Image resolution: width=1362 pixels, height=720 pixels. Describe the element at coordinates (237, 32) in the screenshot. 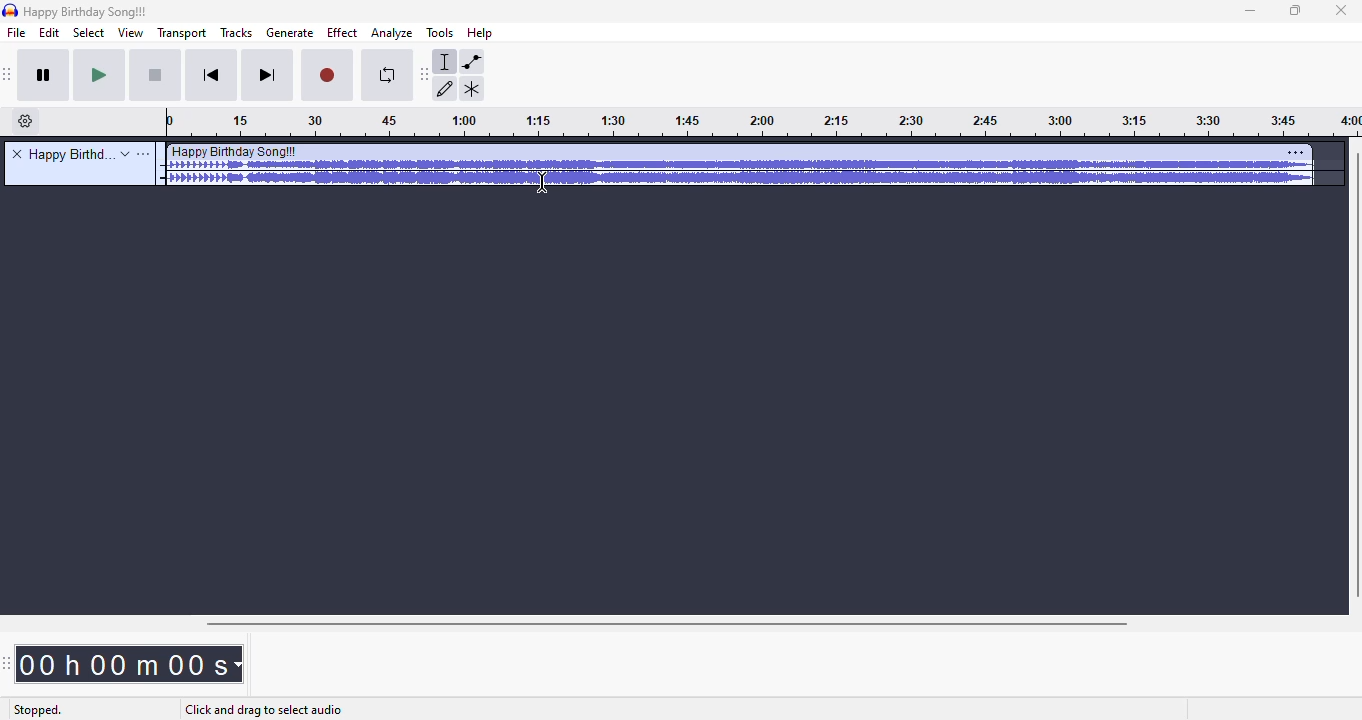

I see `tracks` at that location.